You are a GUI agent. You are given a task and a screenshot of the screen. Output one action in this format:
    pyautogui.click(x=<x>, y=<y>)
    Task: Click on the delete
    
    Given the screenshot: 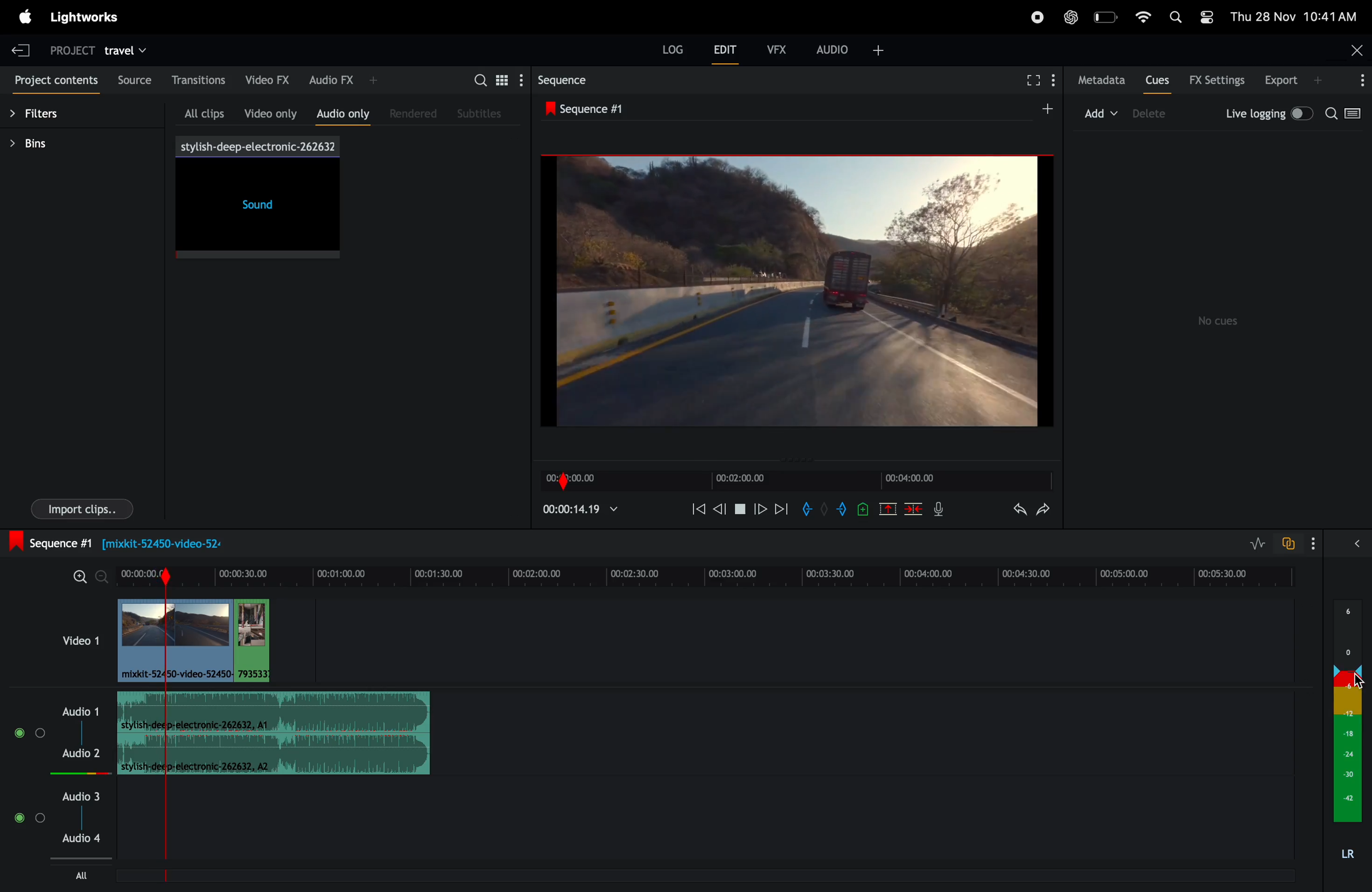 What is the action you would take?
    pyautogui.click(x=911, y=511)
    